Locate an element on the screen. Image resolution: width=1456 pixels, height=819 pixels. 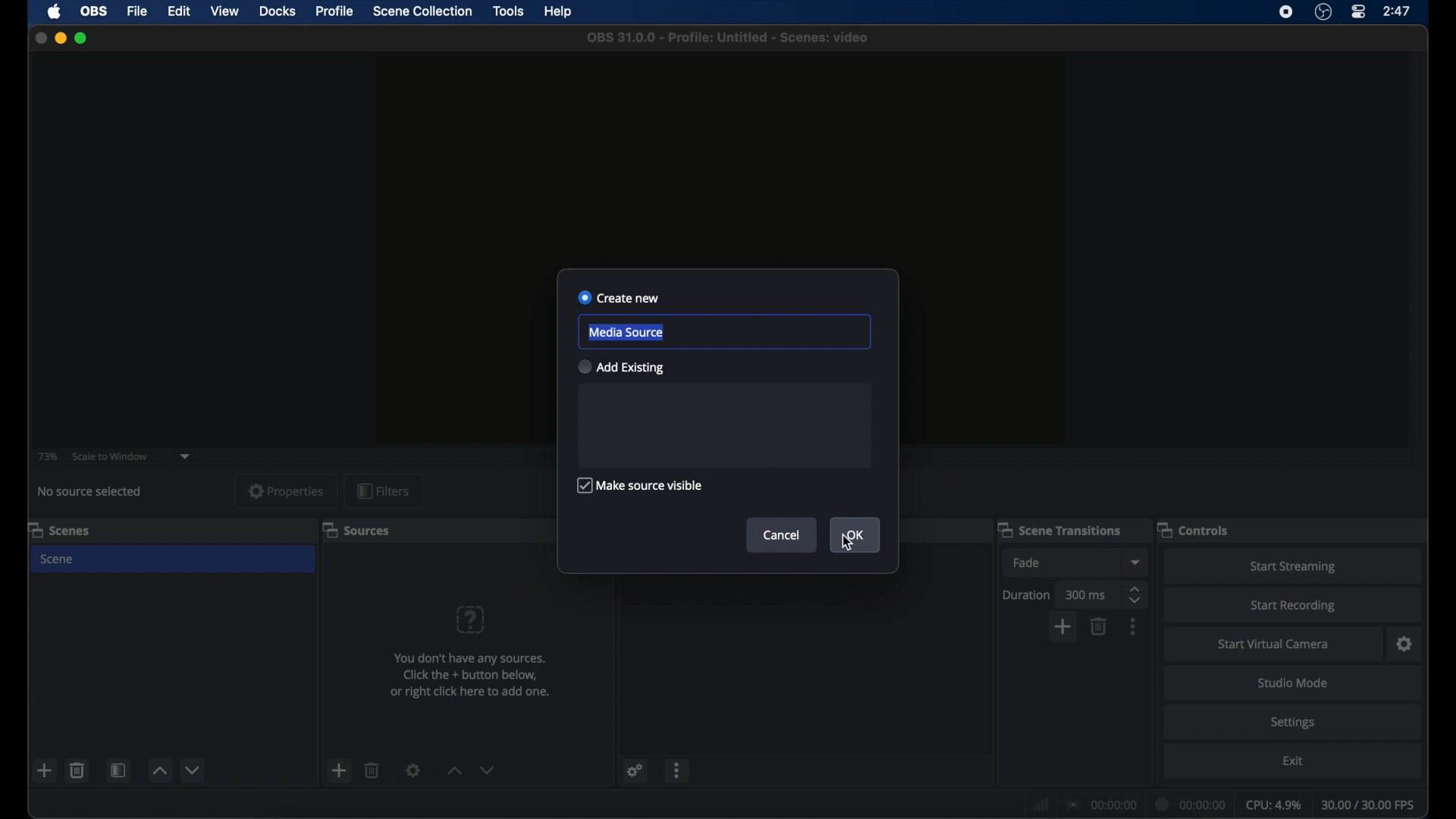
settings is located at coordinates (413, 770).